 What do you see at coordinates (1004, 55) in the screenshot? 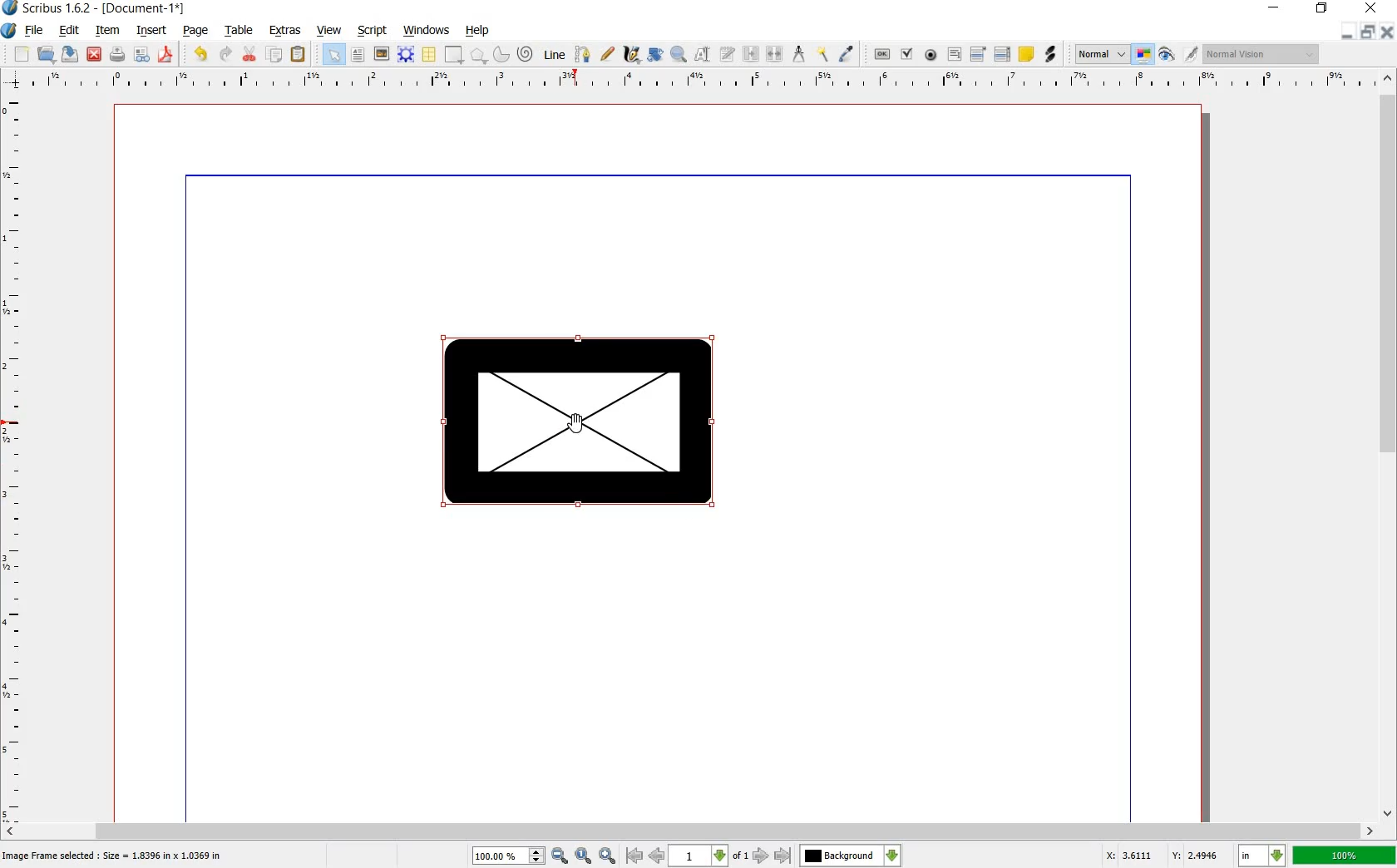
I see `pdf list box` at bounding box center [1004, 55].